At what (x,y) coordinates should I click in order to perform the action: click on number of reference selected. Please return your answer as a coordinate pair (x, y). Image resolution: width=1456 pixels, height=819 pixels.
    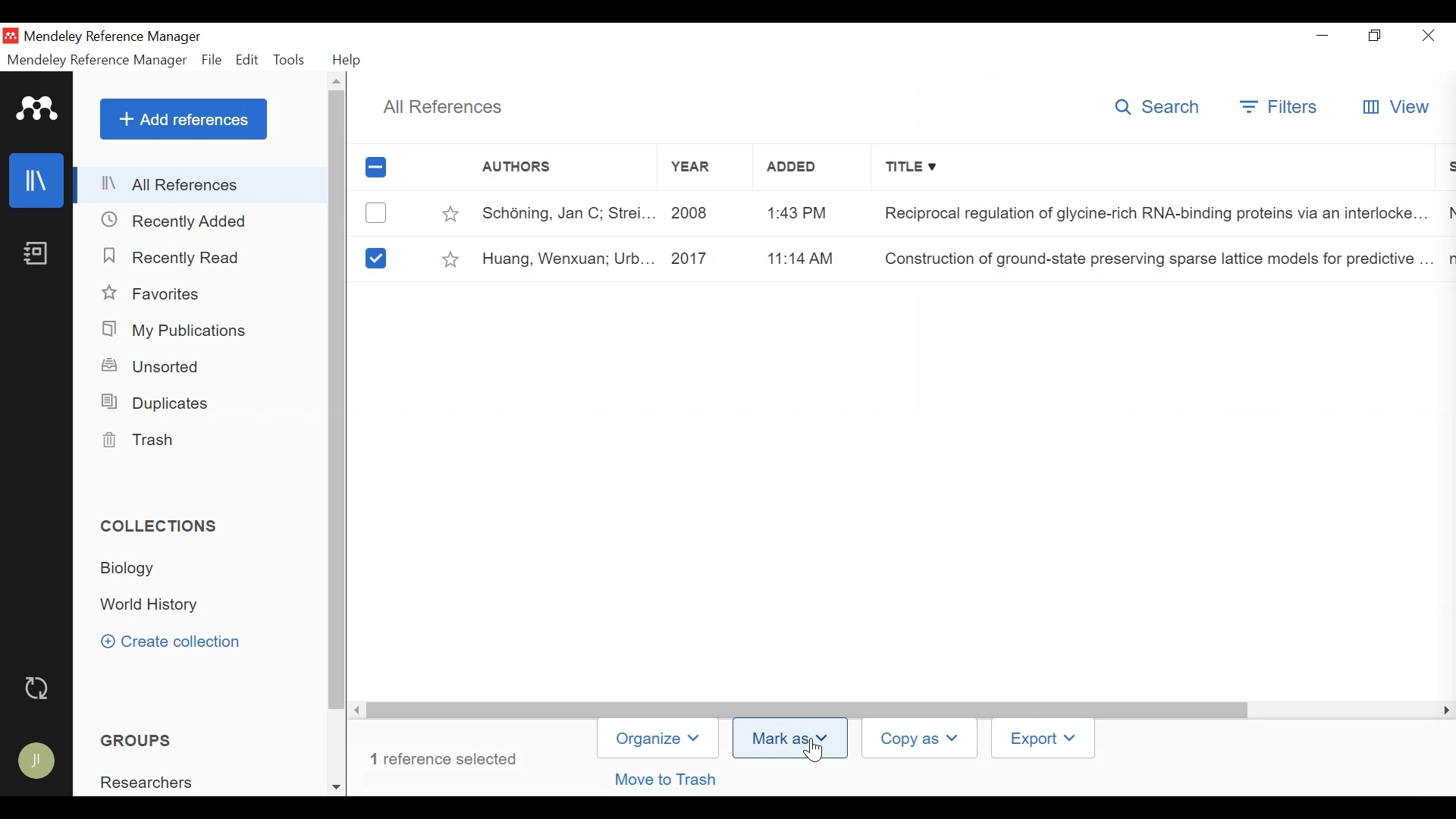
    Looking at the image, I should click on (449, 759).